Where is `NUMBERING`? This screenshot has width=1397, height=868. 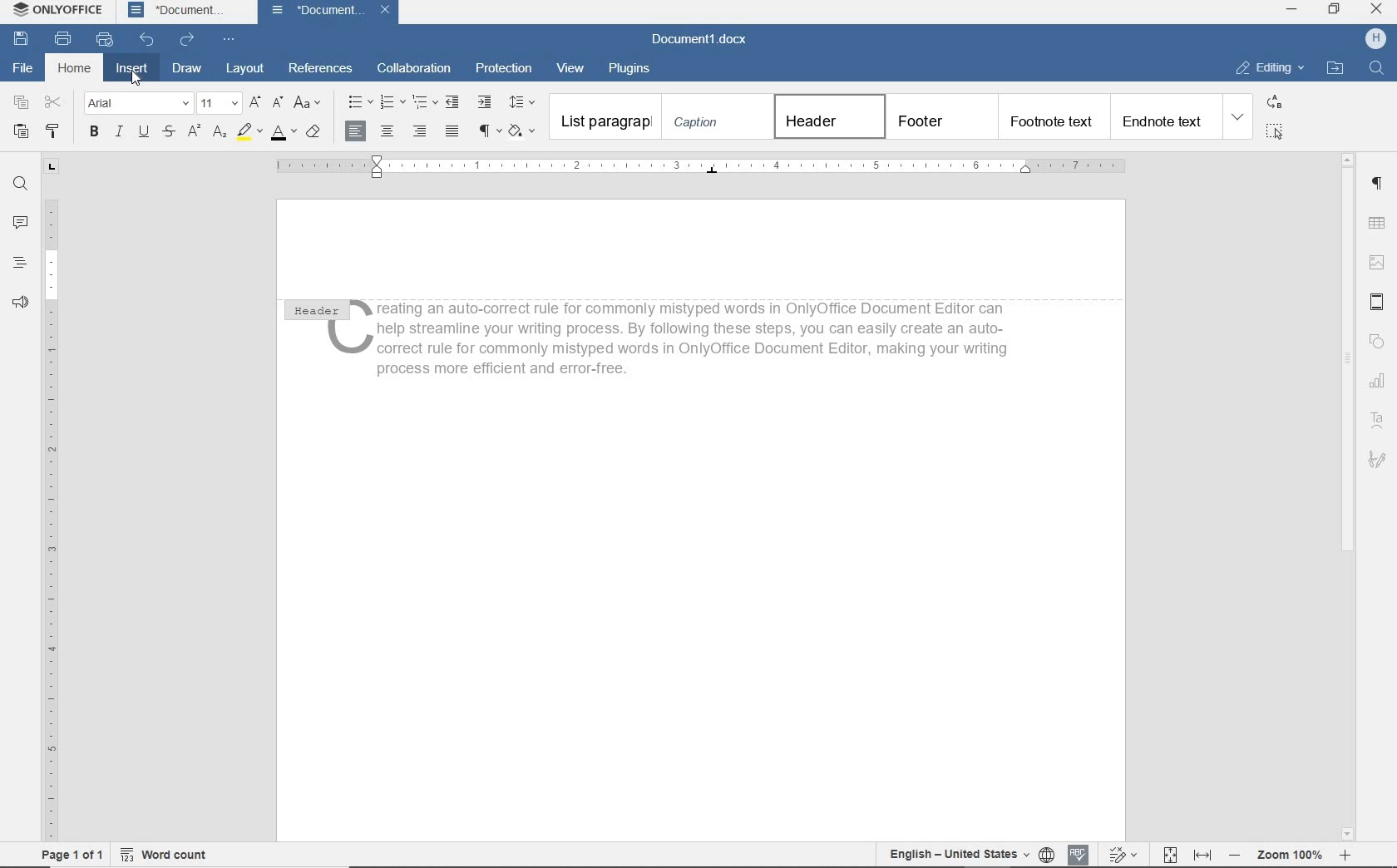 NUMBERING is located at coordinates (392, 103).